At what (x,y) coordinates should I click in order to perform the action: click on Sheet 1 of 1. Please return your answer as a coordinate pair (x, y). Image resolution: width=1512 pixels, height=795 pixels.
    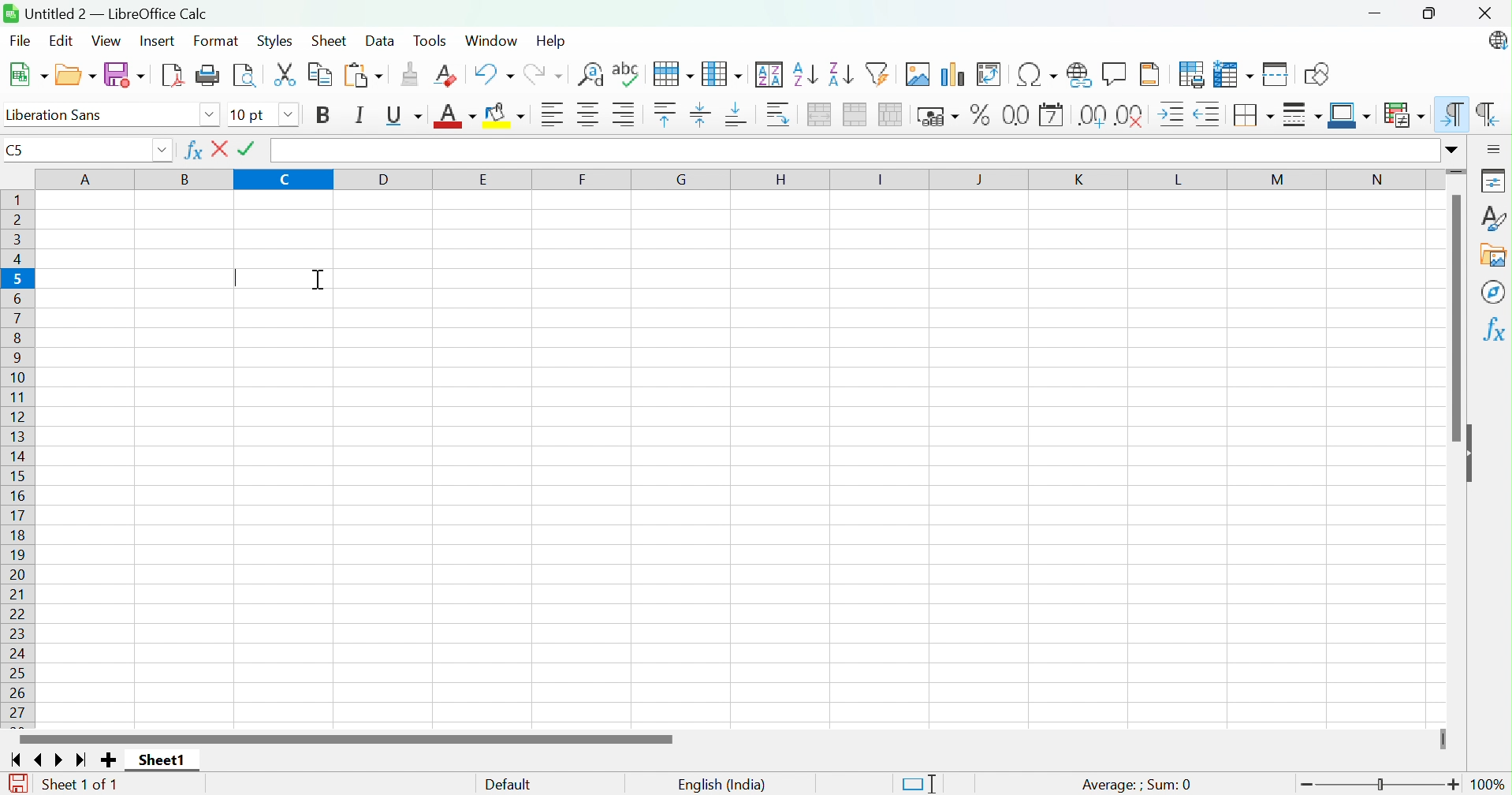
    Looking at the image, I should click on (80, 785).